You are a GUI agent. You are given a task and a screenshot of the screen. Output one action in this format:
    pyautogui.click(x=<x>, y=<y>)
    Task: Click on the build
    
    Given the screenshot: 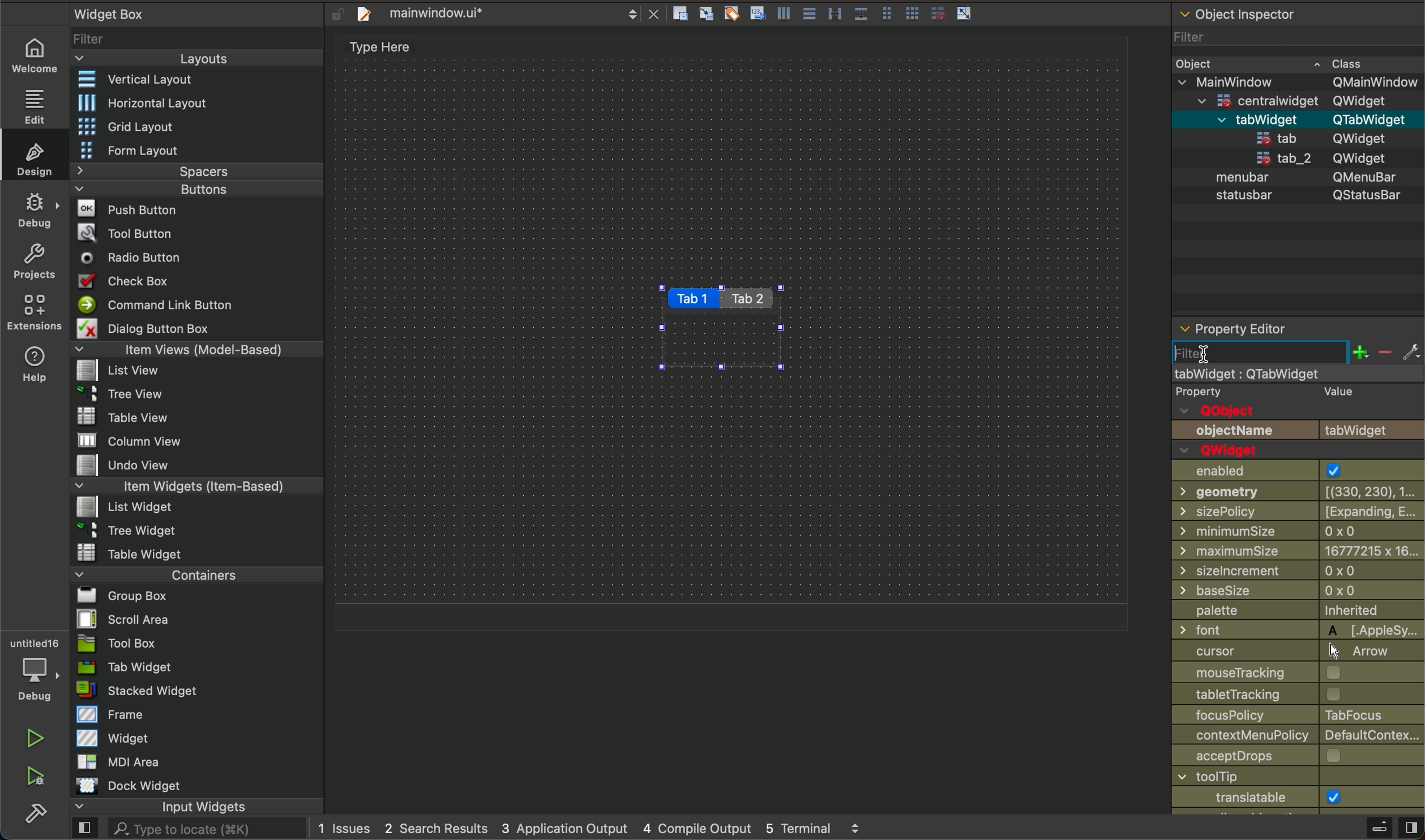 What is the action you would take?
    pyautogui.click(x=41, y=816)
    